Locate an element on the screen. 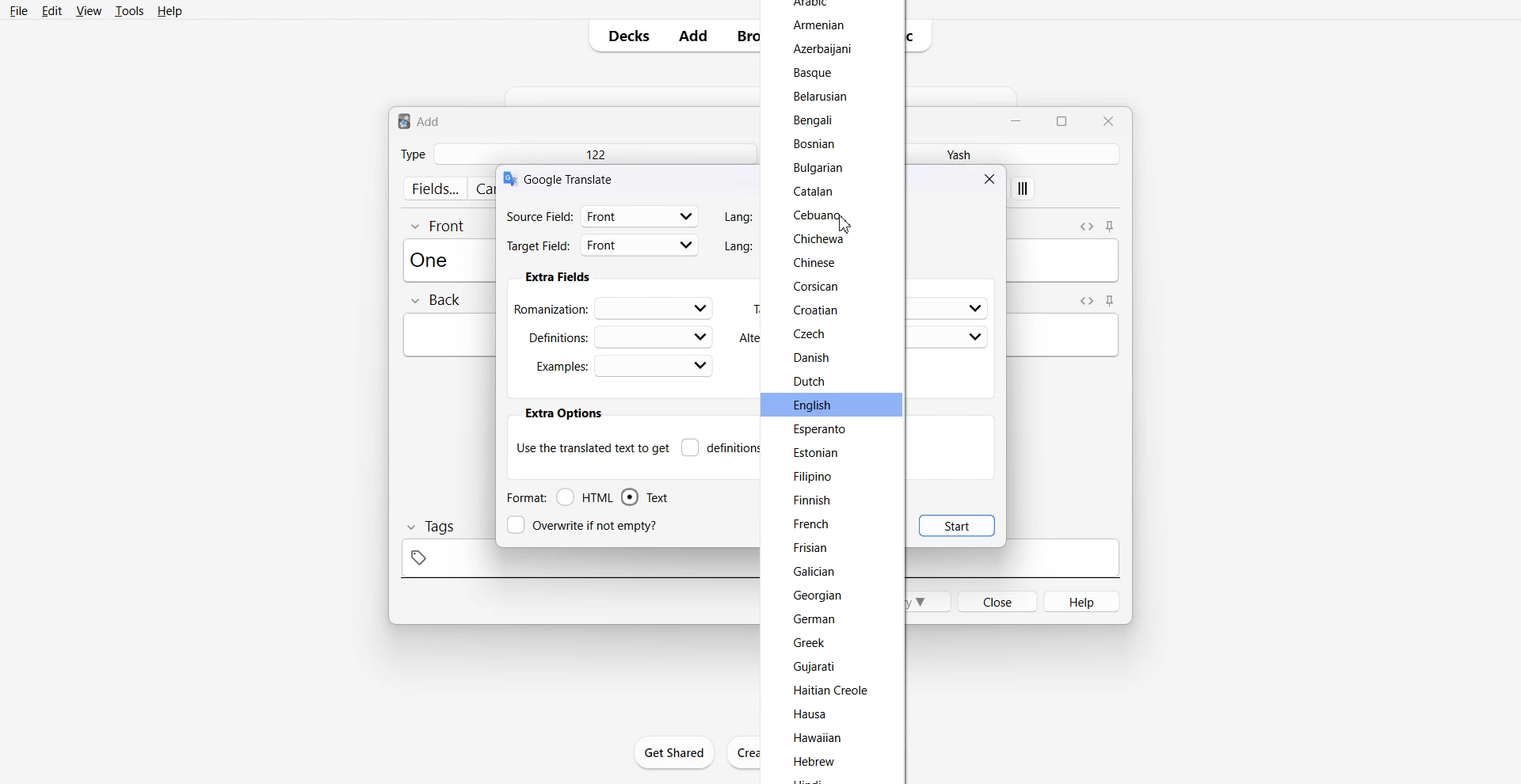 This screenshot has width=1521, height=784. Definitions is located at coordinates (721, 447).